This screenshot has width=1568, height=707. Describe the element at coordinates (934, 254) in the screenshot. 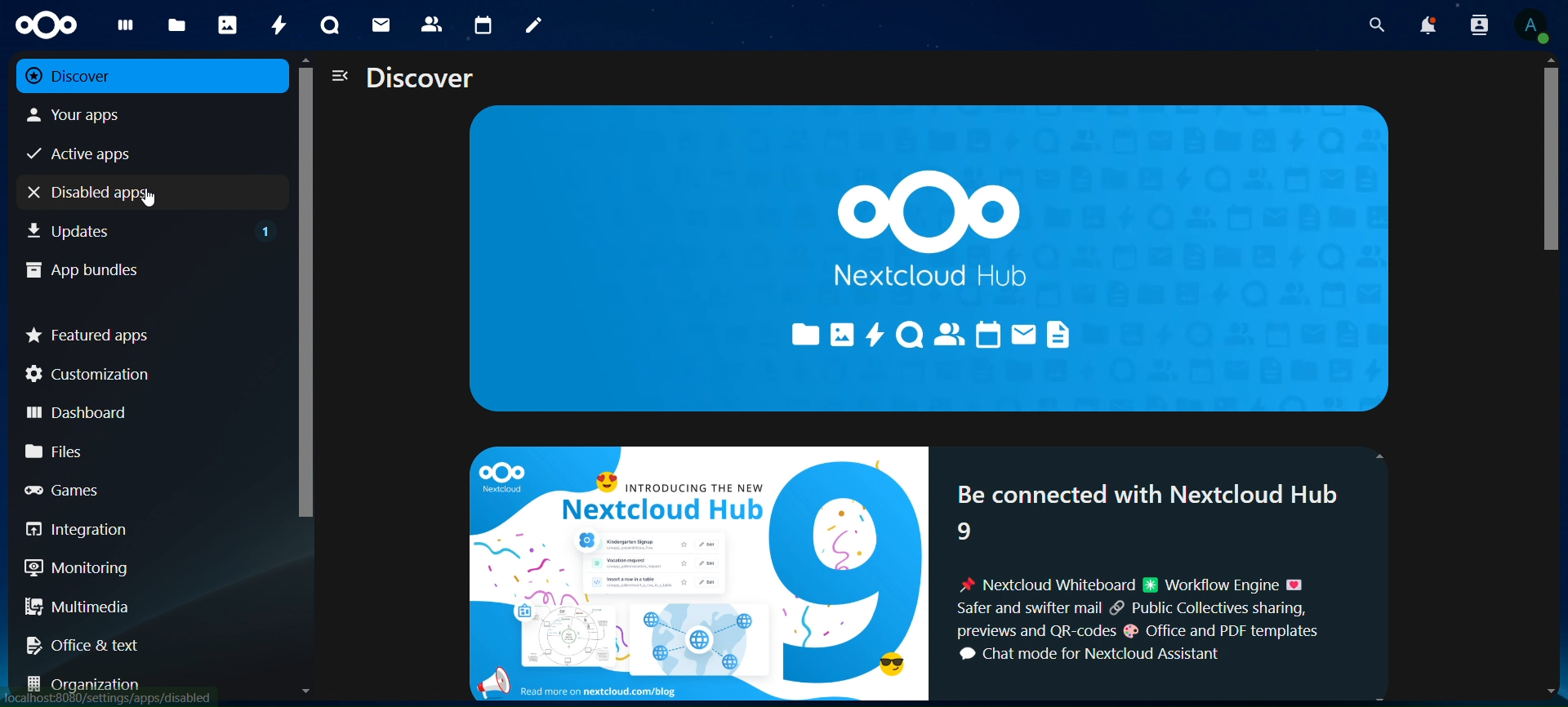

I see `image` at that location.